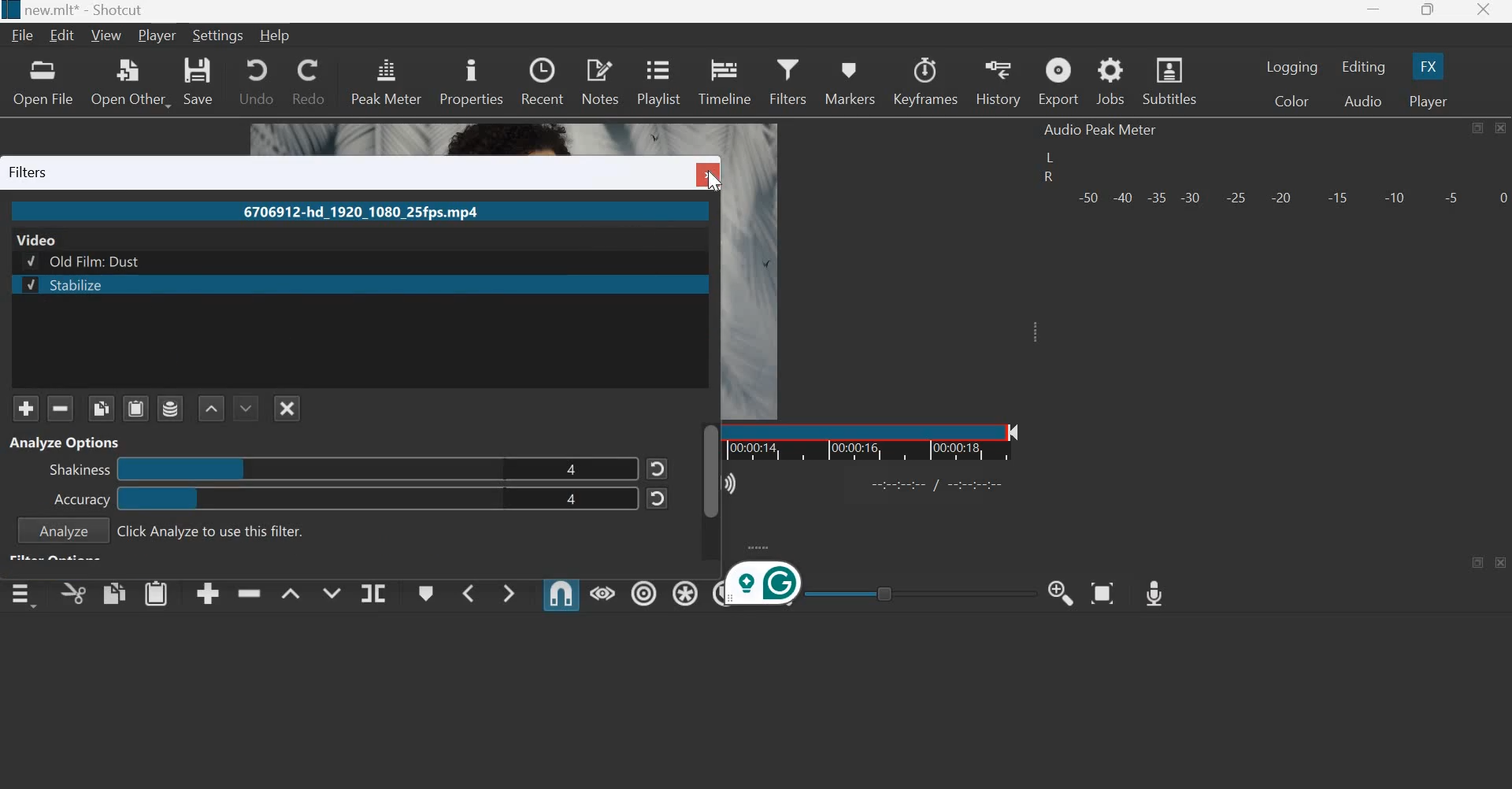  I want to click on Playlist, so click(660, 81).